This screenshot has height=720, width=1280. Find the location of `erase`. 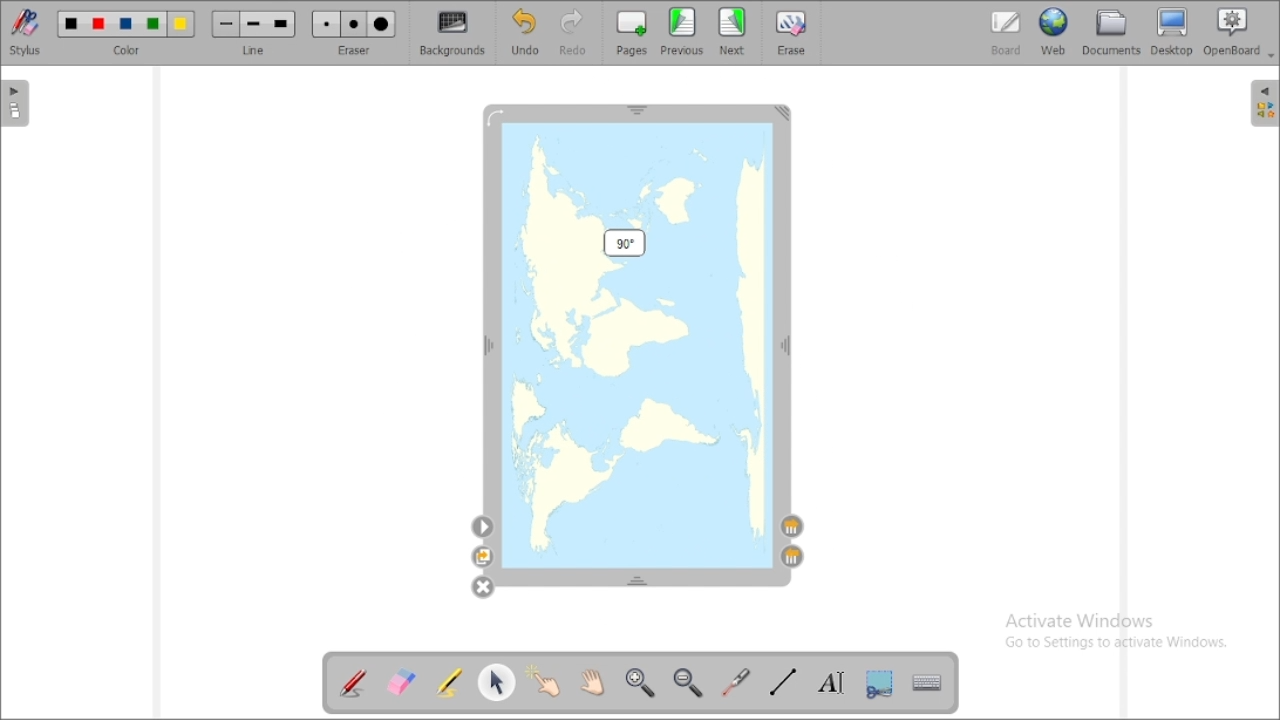

erase is located at coordinates (794, 32).